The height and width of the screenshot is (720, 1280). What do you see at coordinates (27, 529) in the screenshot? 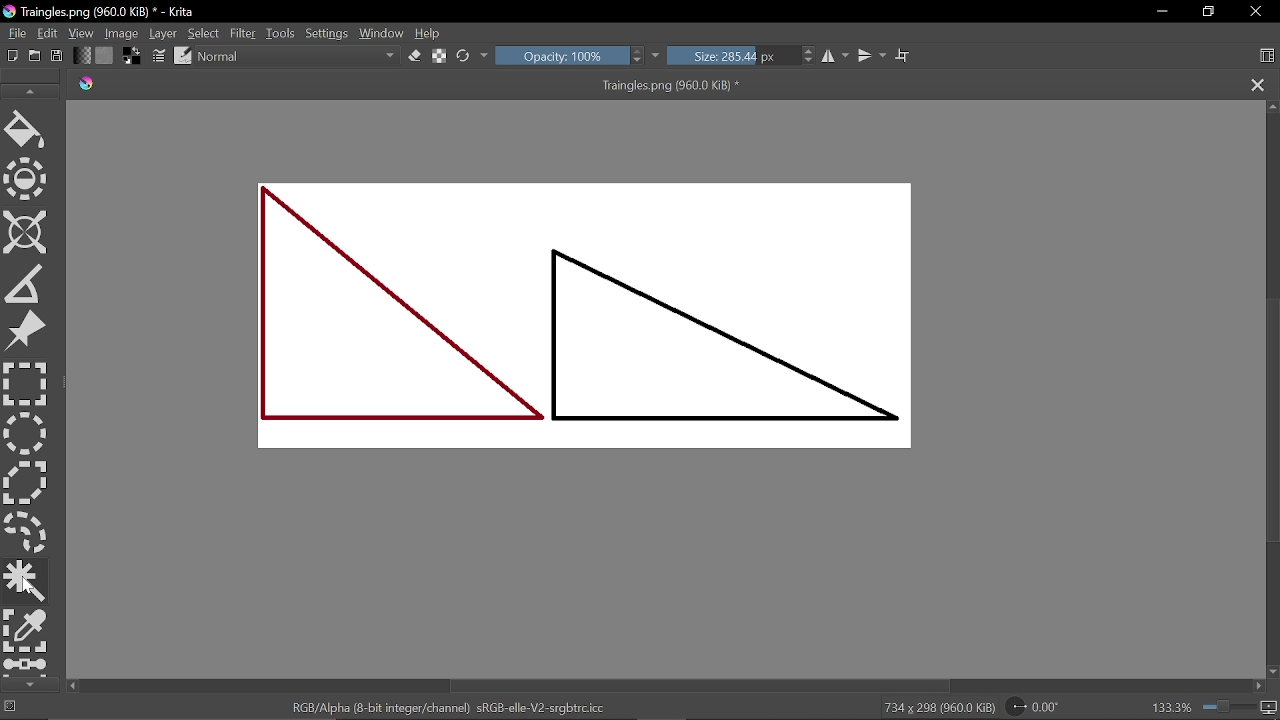
I see `Free select tool` at bounding box center [27, 529].